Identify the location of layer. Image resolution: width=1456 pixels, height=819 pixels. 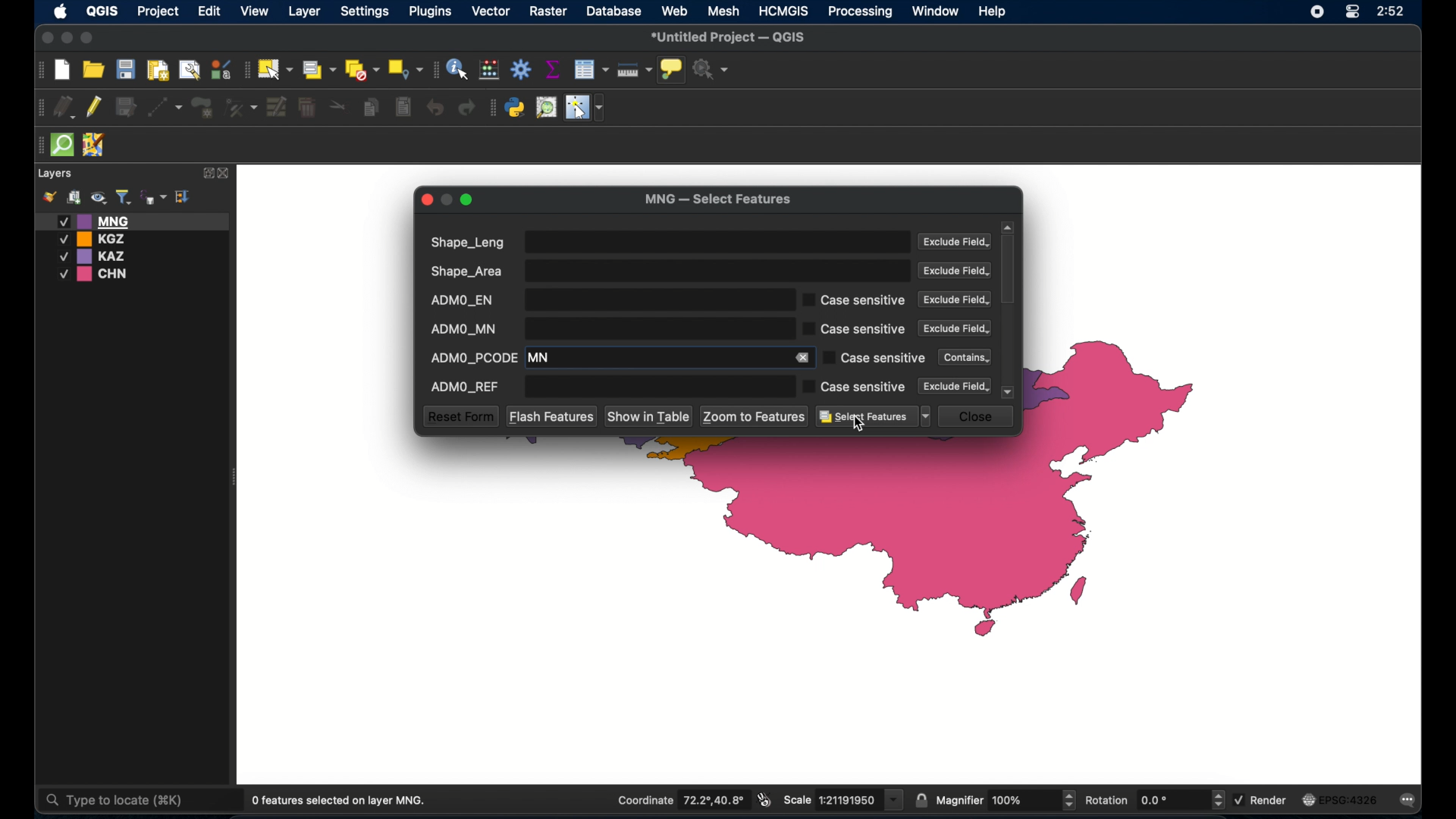
(303, 11).